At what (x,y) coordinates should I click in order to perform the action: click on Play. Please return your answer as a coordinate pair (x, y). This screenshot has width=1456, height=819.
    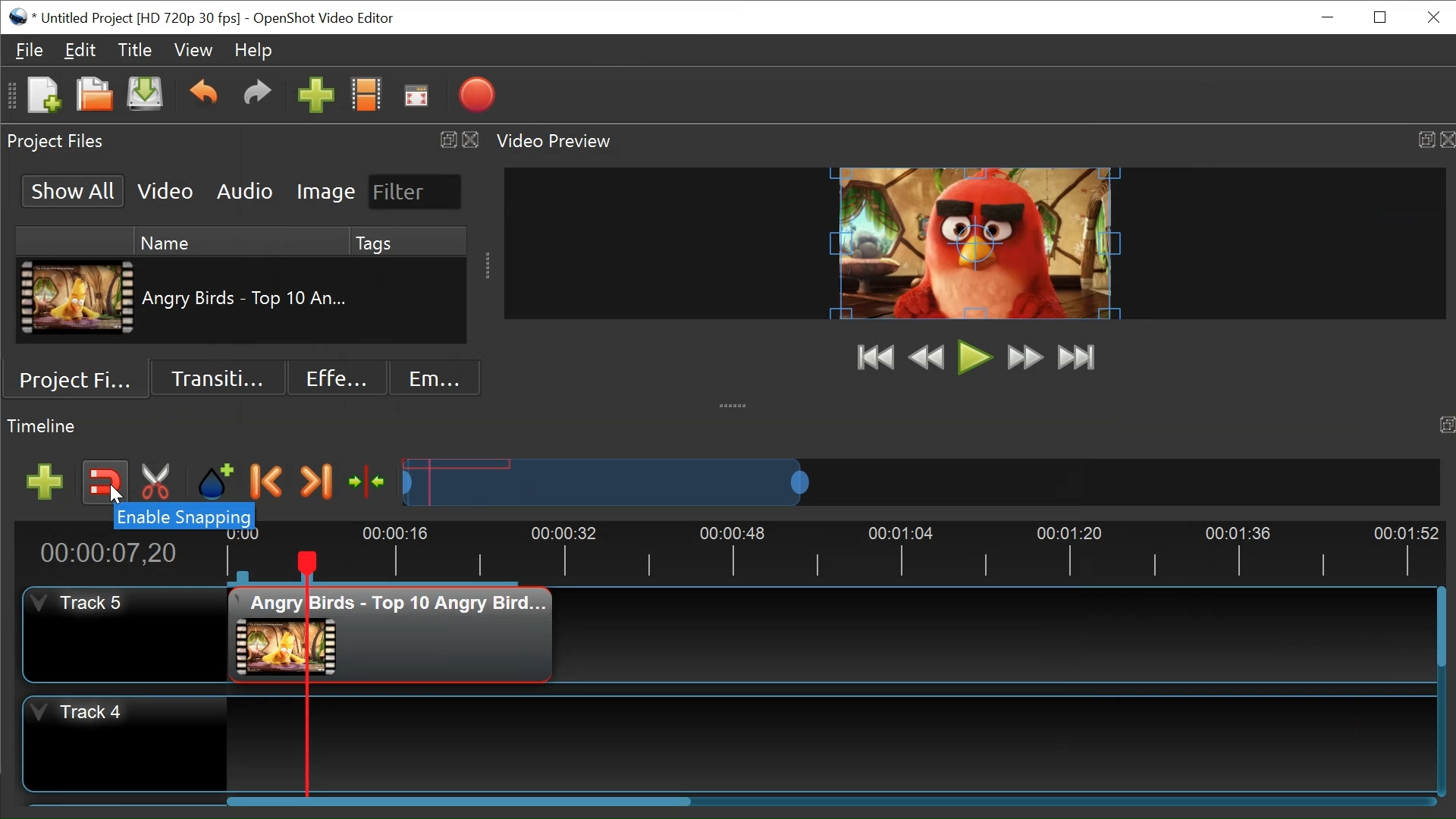
    Looking at the image, I should click on (972, 357).